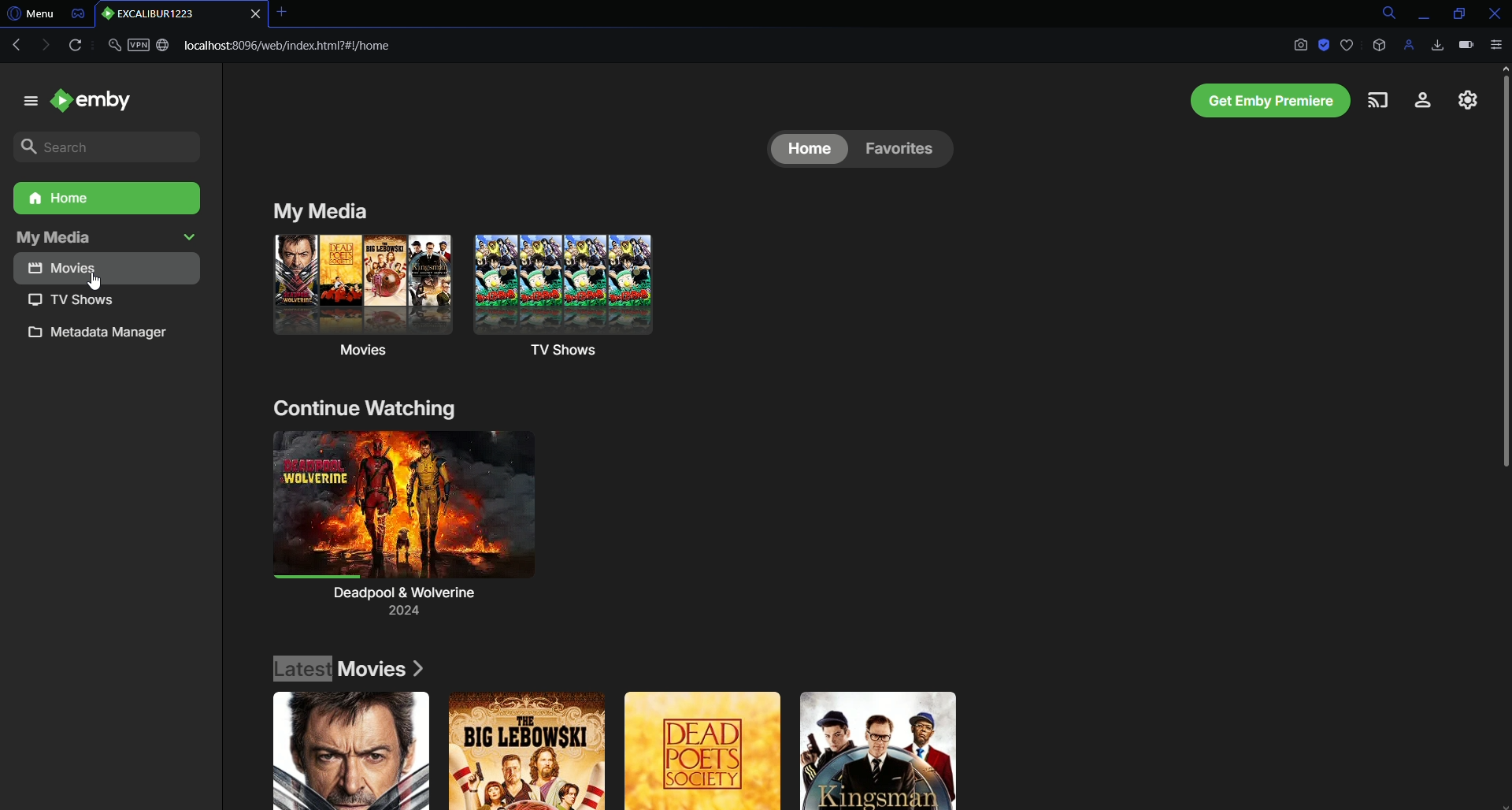  I want to click on Continue Watching, so click(405, 489).